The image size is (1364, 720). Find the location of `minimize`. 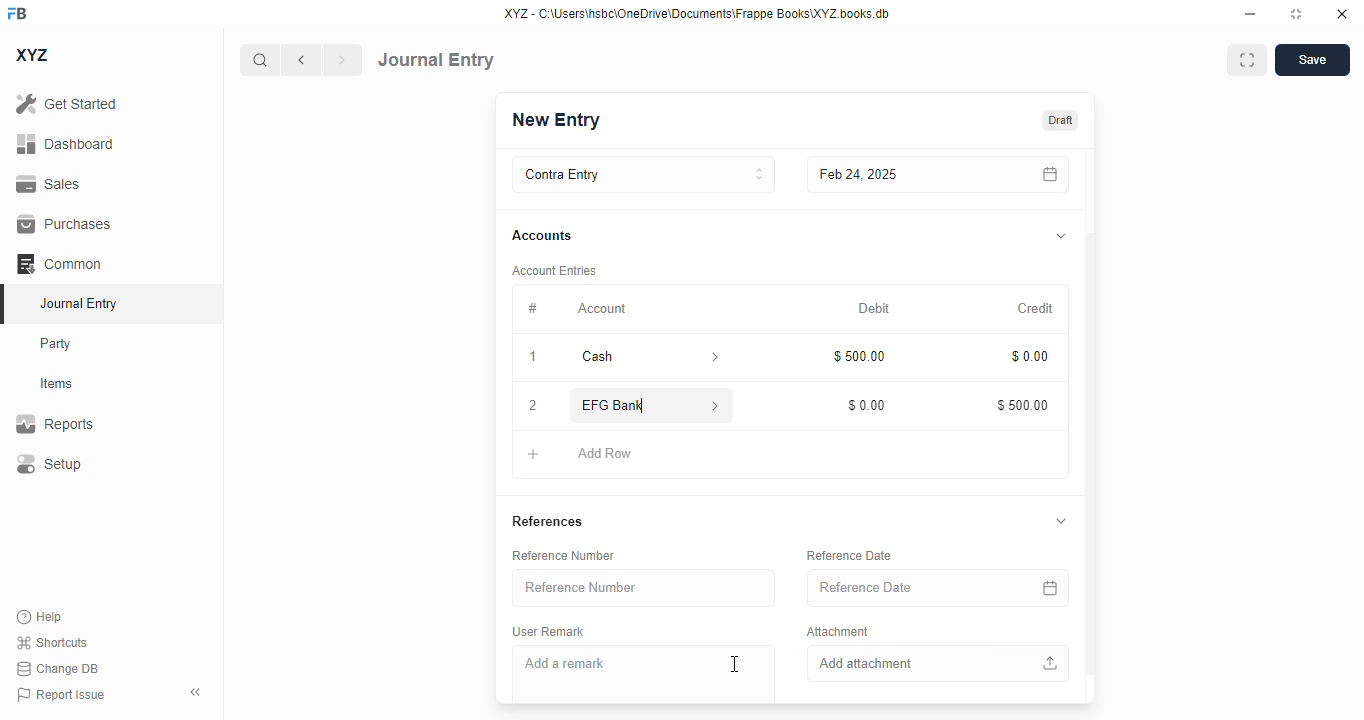

minimize is located at coordinates (1251, 14).